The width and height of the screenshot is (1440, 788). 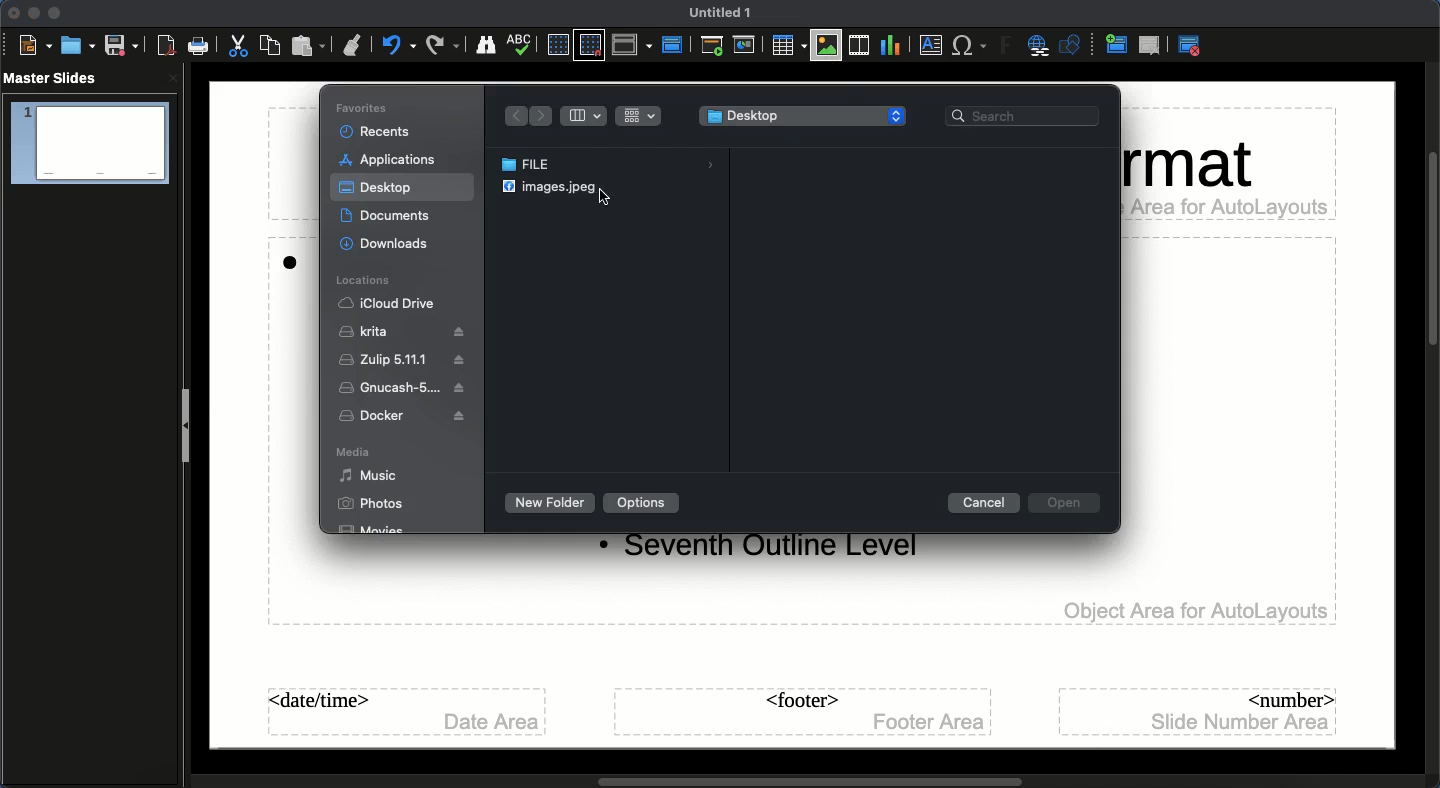 What do you see at coordinates (714, 46) in the screenshot?
I see `First slide` at bounding box center [714, 46].